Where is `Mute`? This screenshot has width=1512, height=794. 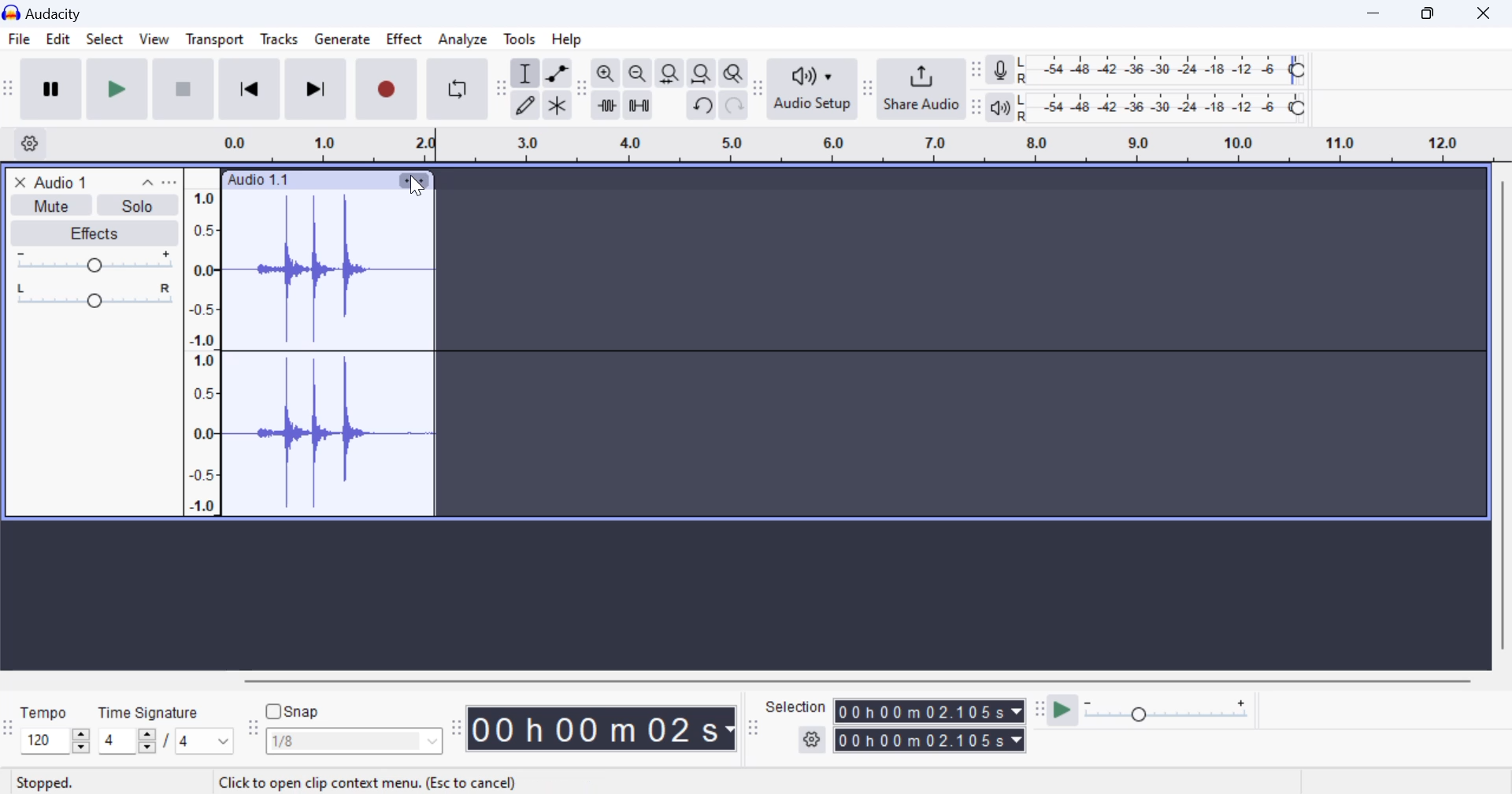 Mute is located at coordinates (54, 204).